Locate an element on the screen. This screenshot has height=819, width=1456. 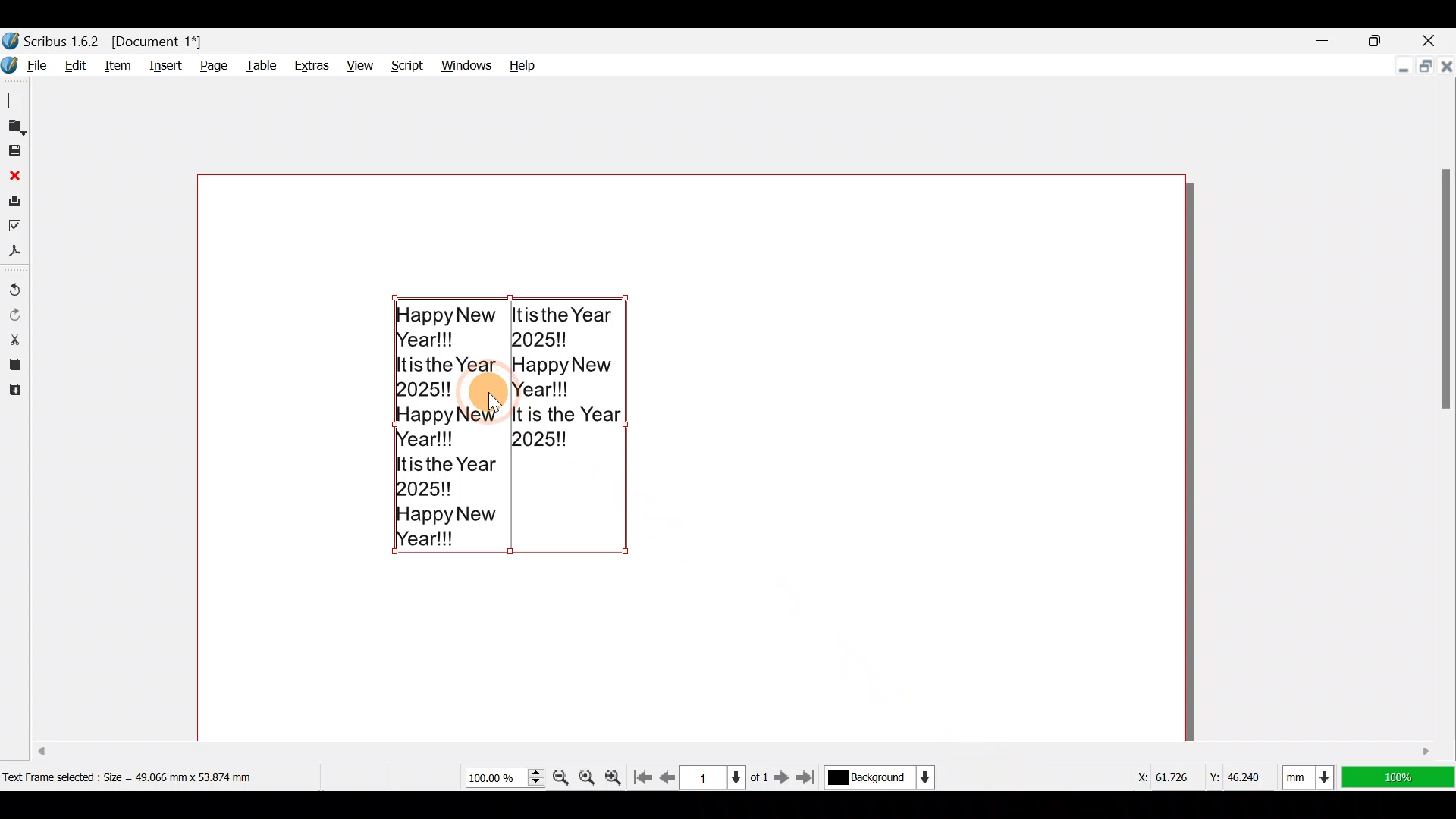
Select current page is located at coordinates (723, 776).